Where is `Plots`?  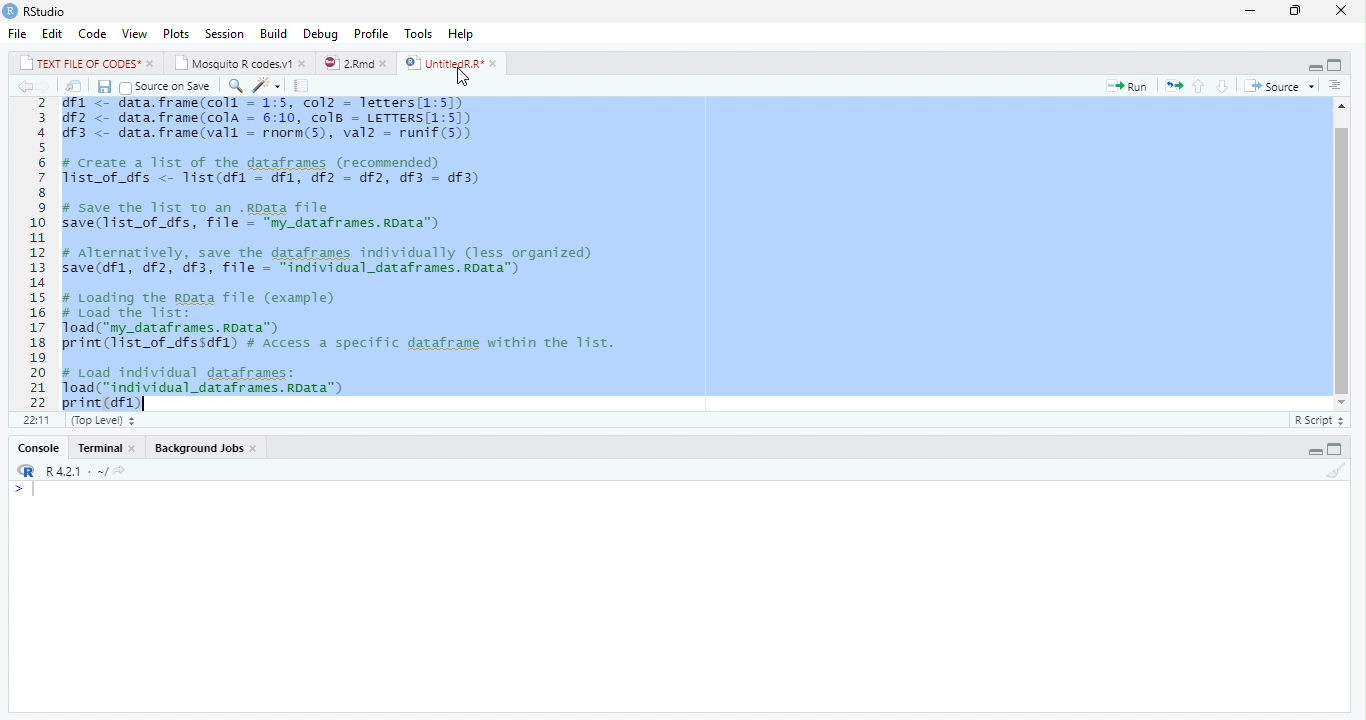 Plots is located at coordinates (176, 33).